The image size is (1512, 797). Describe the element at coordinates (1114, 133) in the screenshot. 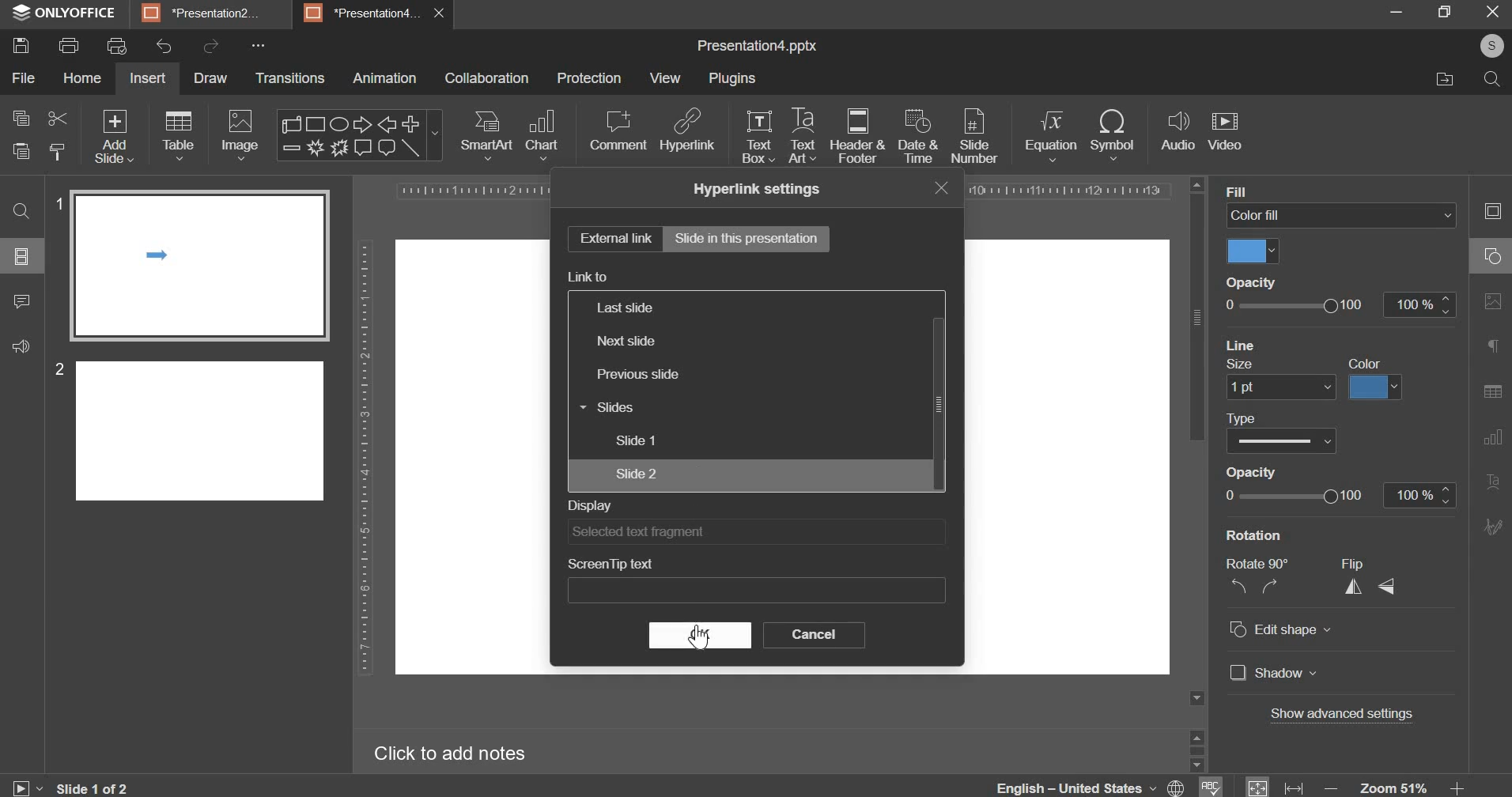

I see `symbol` at that location.